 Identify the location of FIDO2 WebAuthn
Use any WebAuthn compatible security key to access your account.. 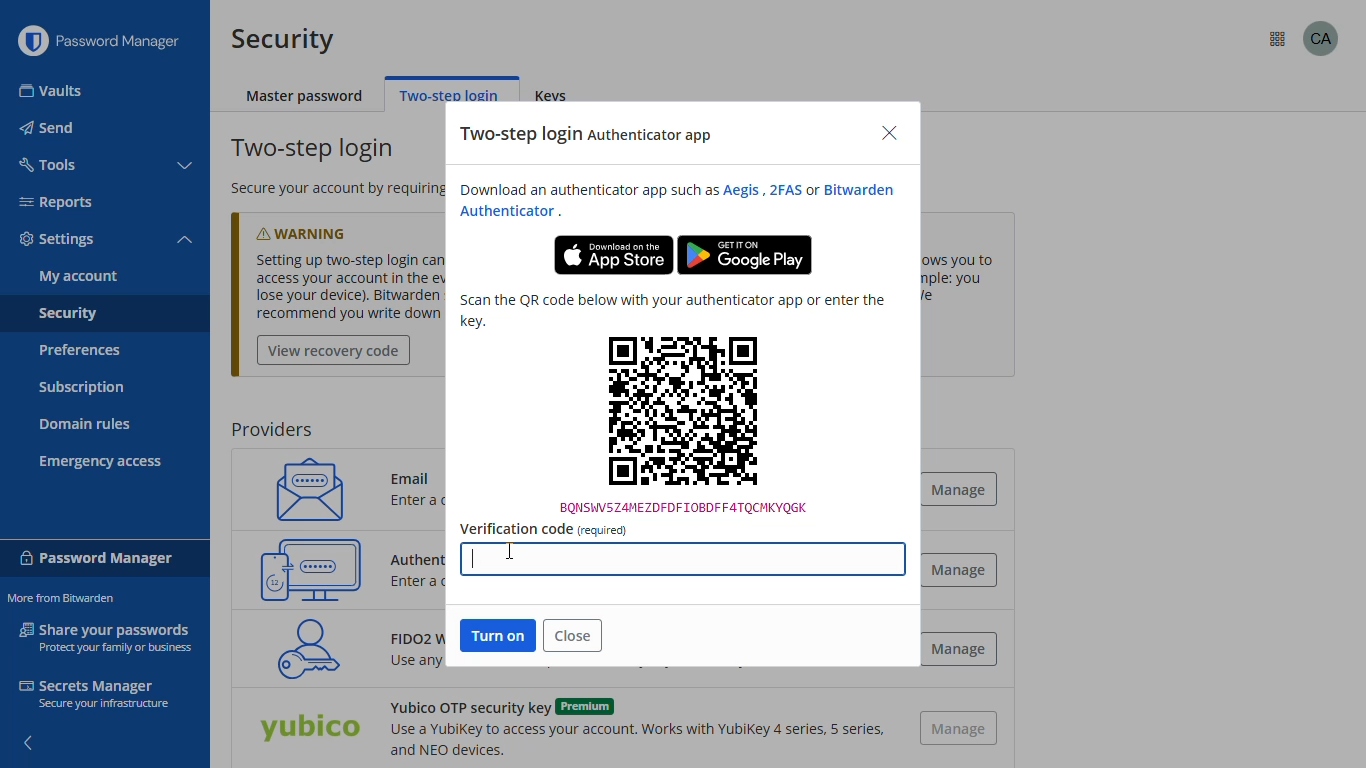
(402, 654).